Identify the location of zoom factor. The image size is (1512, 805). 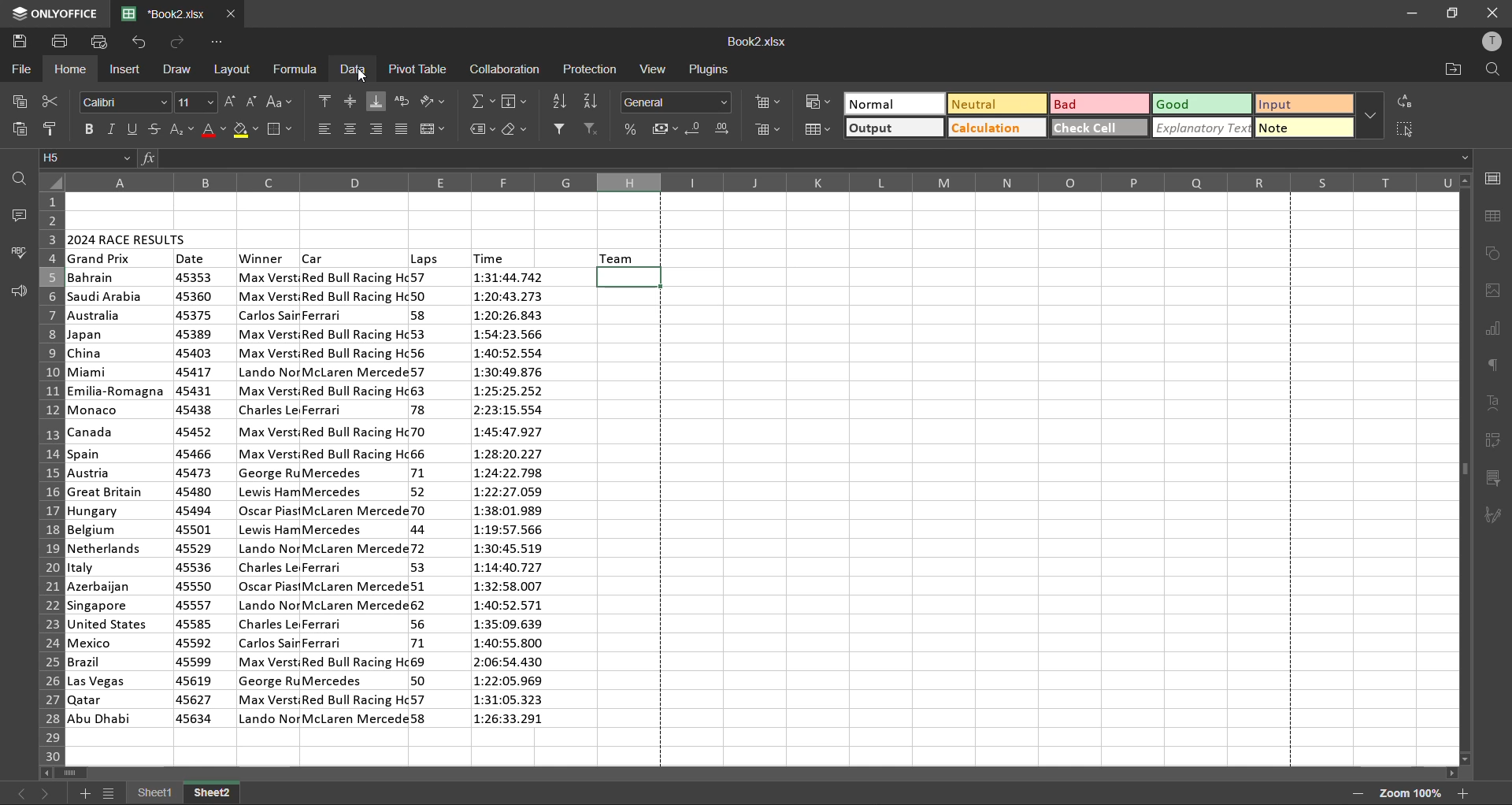
(1408, 795).